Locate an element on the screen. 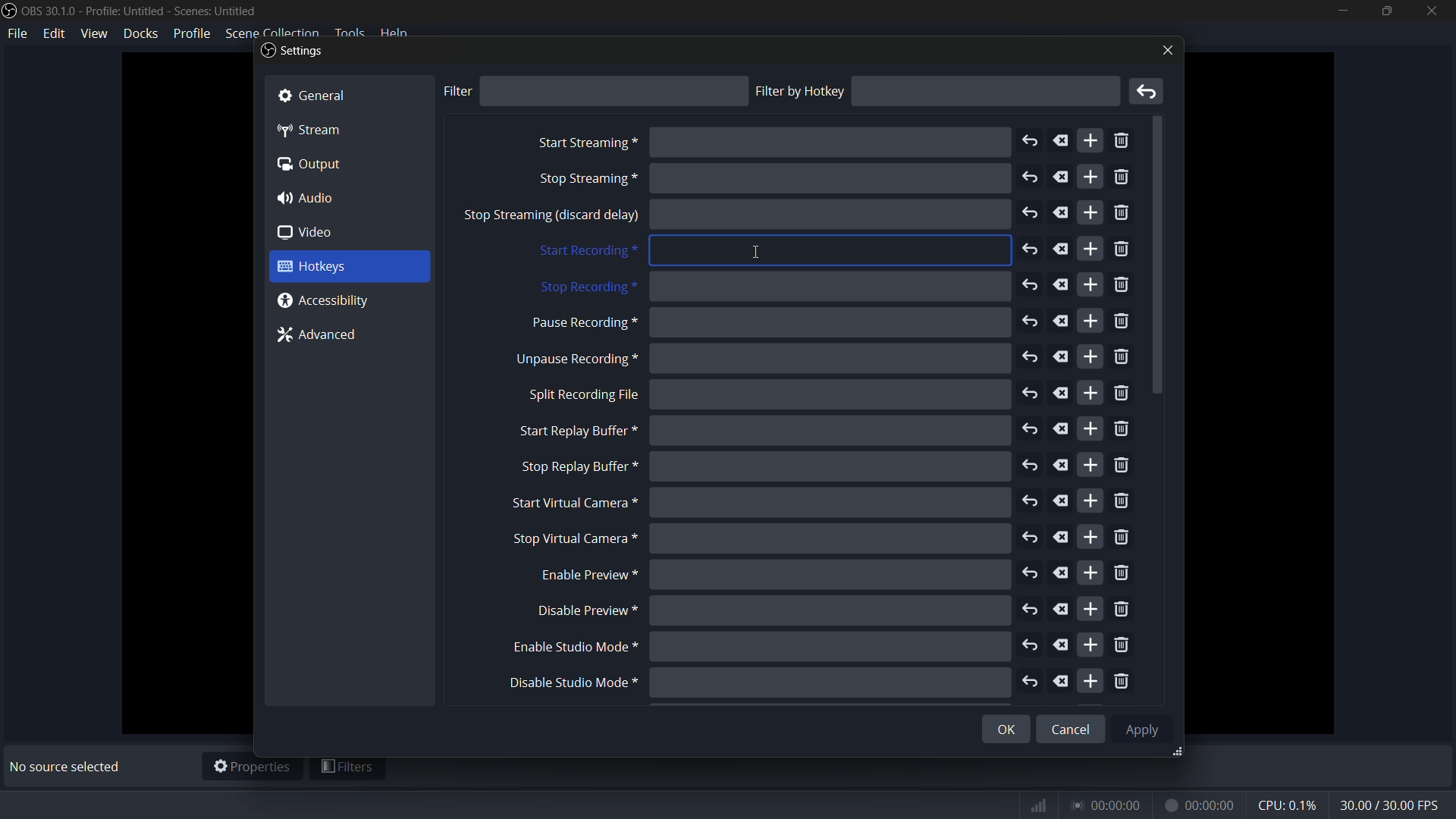 This screenshot has height=819, width=1456. remove is located at coordinates (1149, 92).